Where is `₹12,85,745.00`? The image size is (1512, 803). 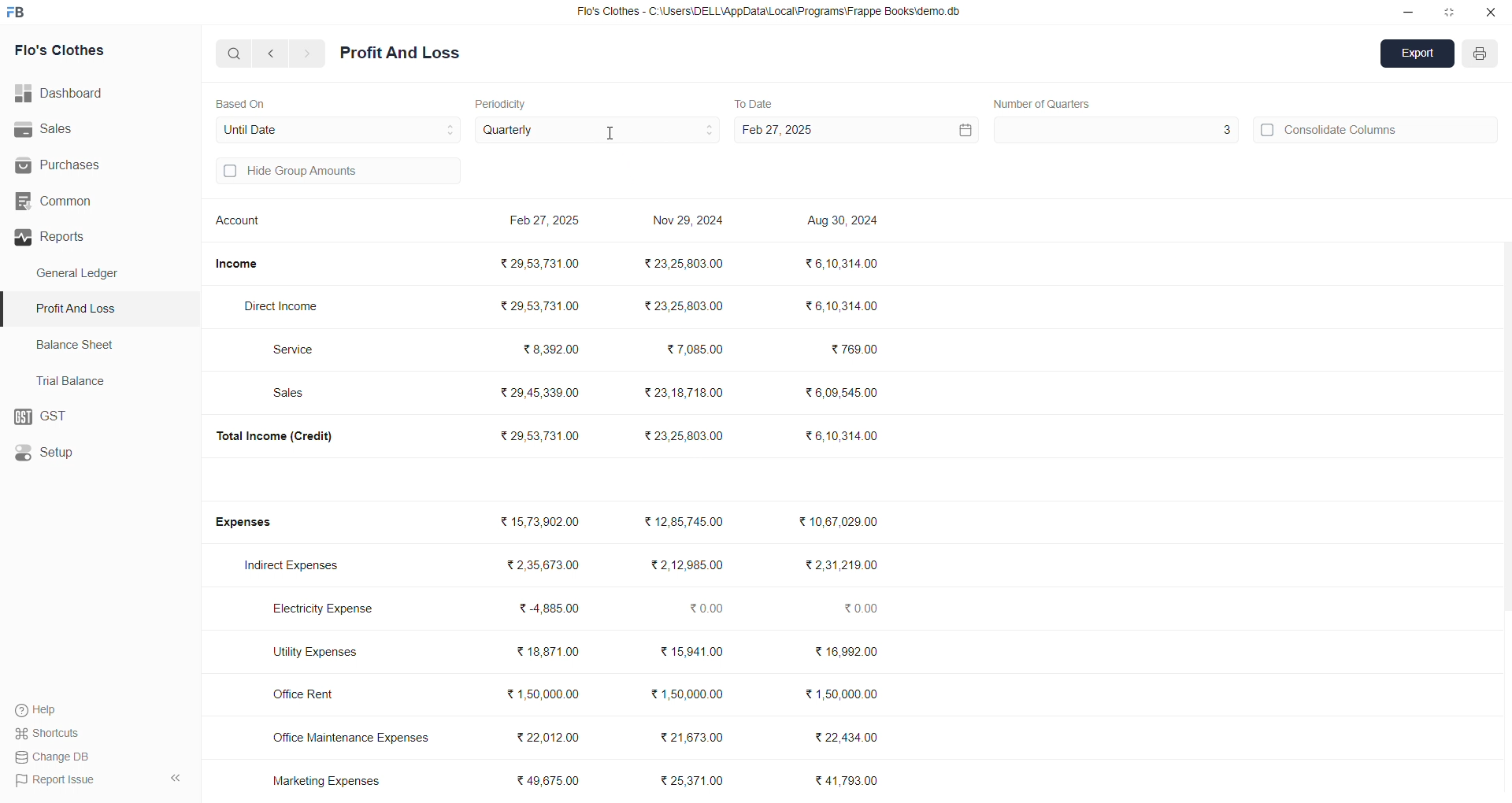 ₹12,85,745.00 is located at coordinates (693, 522).